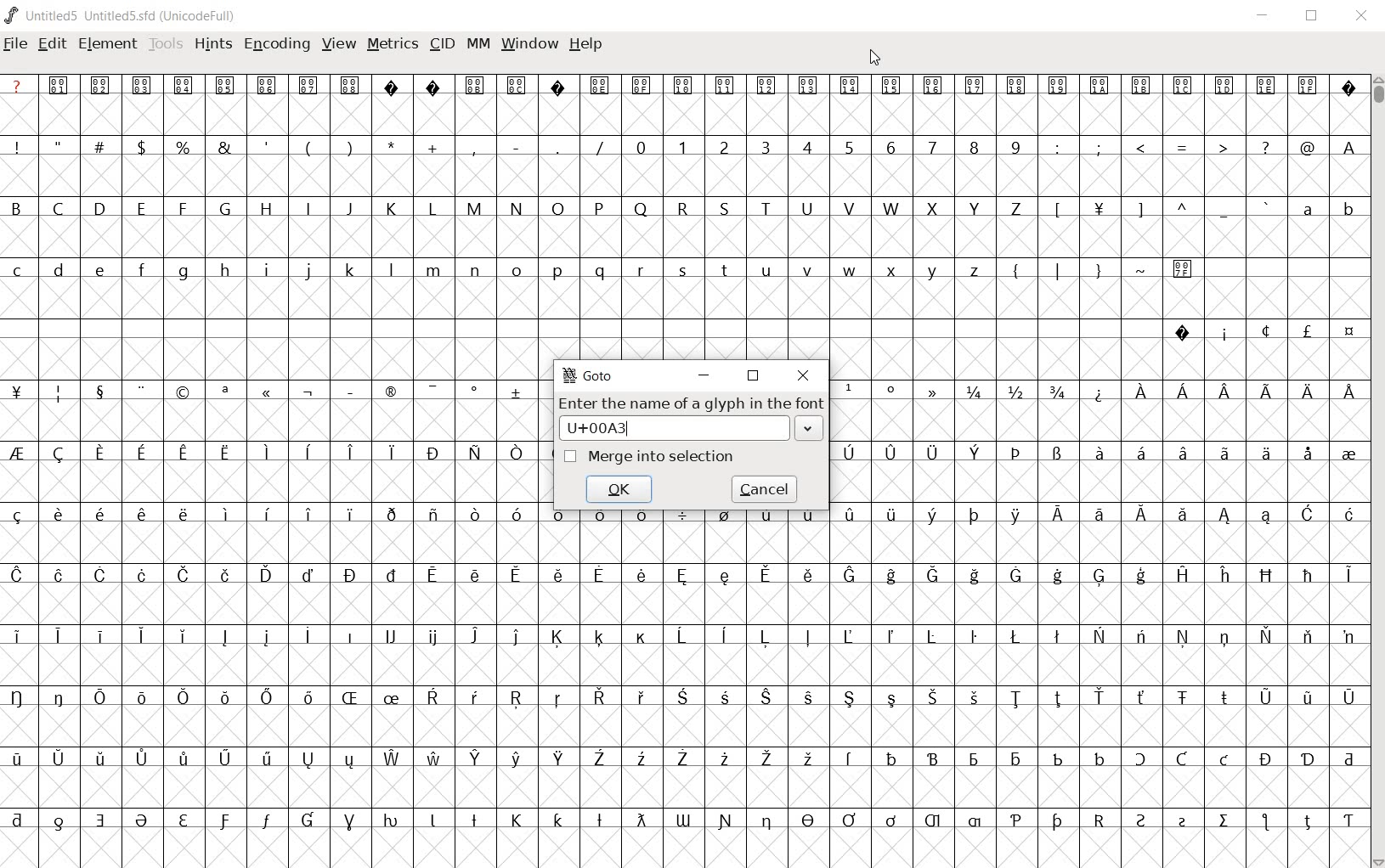  Describe the element at coordinates (689, 403) in the screenshot. I see `Enter the name of a glyph in the font` at that location.